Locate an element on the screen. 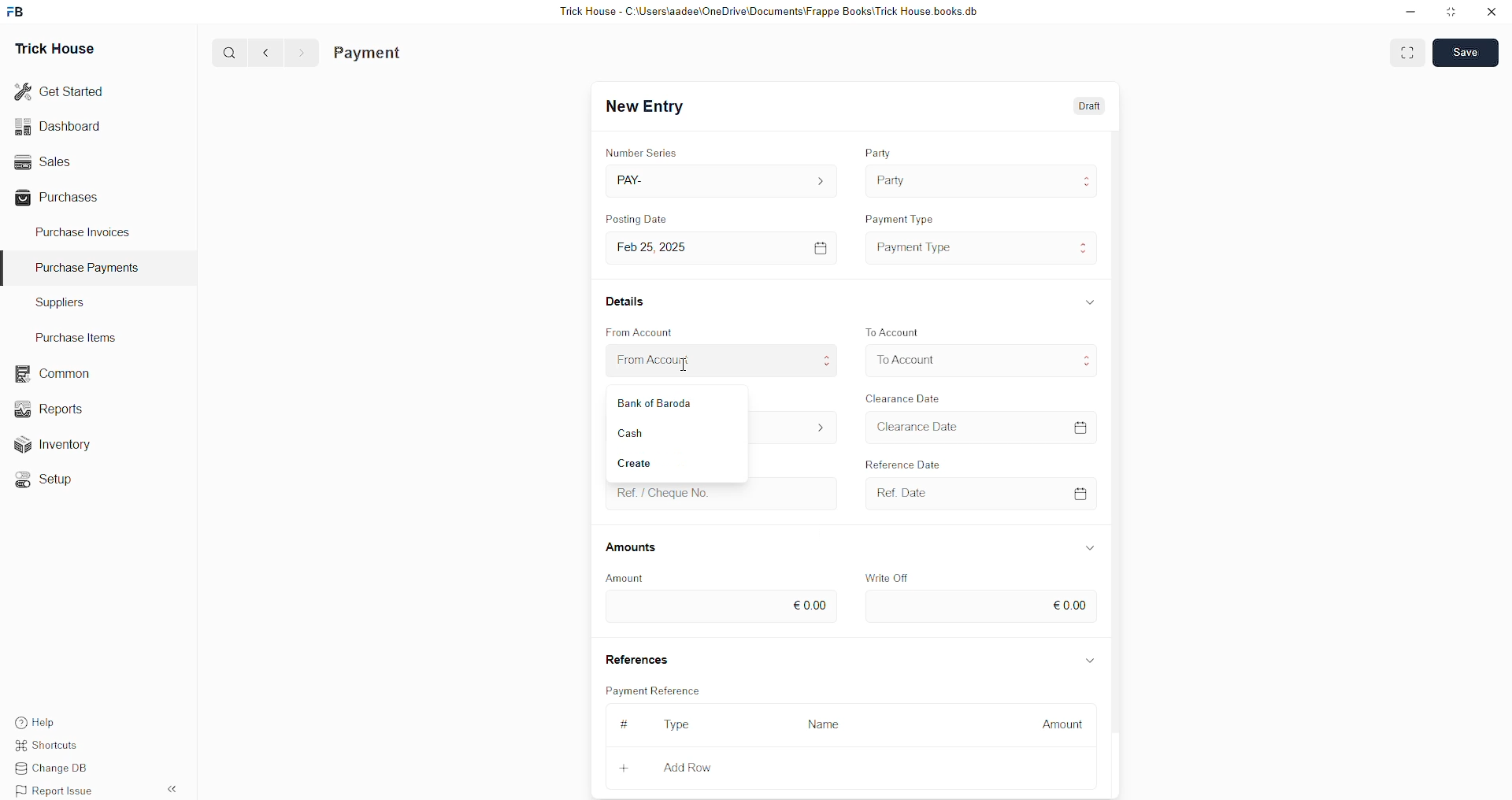 This screenshot has height=800, width=1512. Details is located at coordinates (628, 300).